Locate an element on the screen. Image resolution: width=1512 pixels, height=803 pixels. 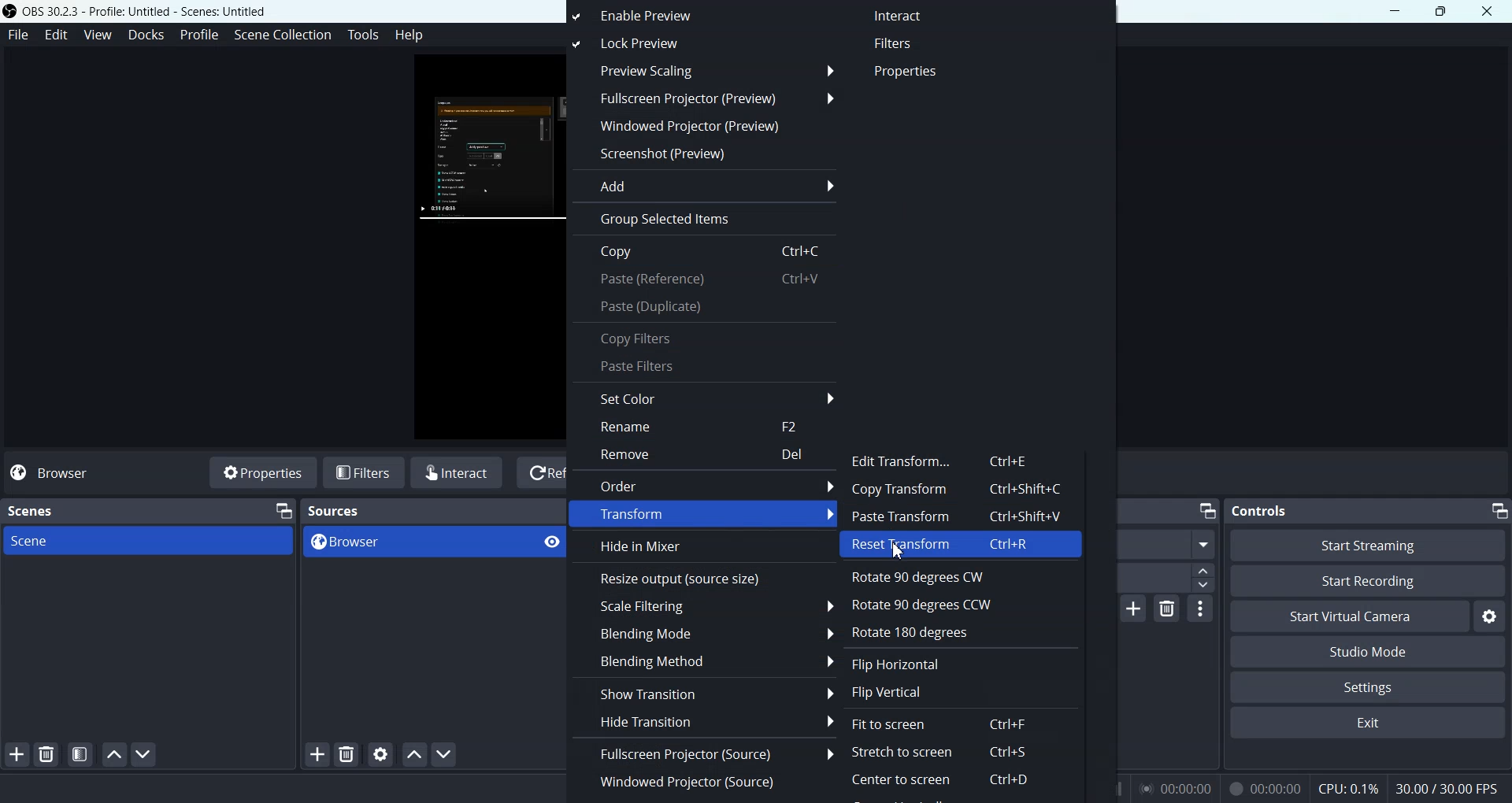
Move Scene Up is located at coordinates (415, 753).